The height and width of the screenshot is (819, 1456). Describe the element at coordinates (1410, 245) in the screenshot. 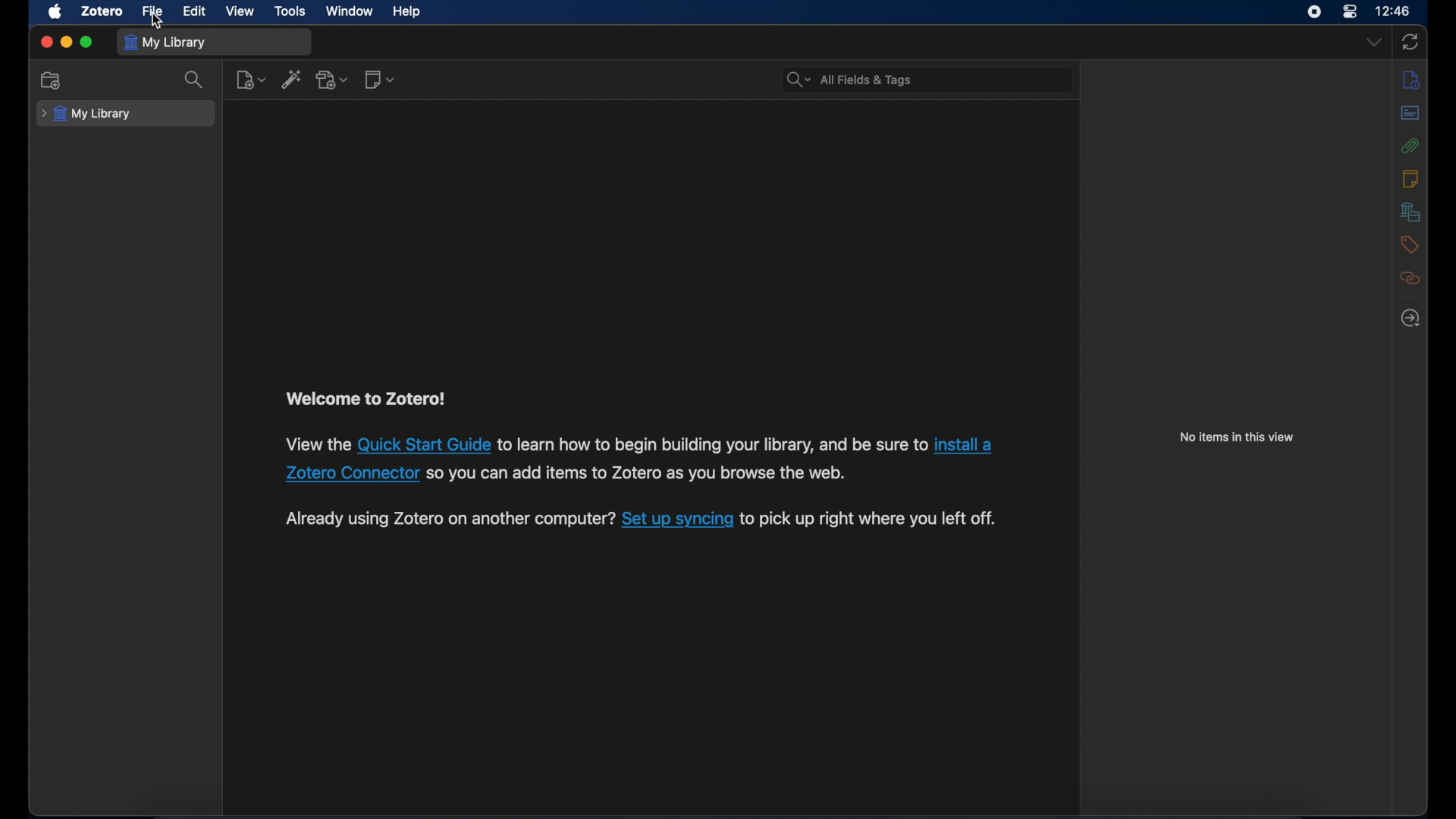

I see `tags` at that location.